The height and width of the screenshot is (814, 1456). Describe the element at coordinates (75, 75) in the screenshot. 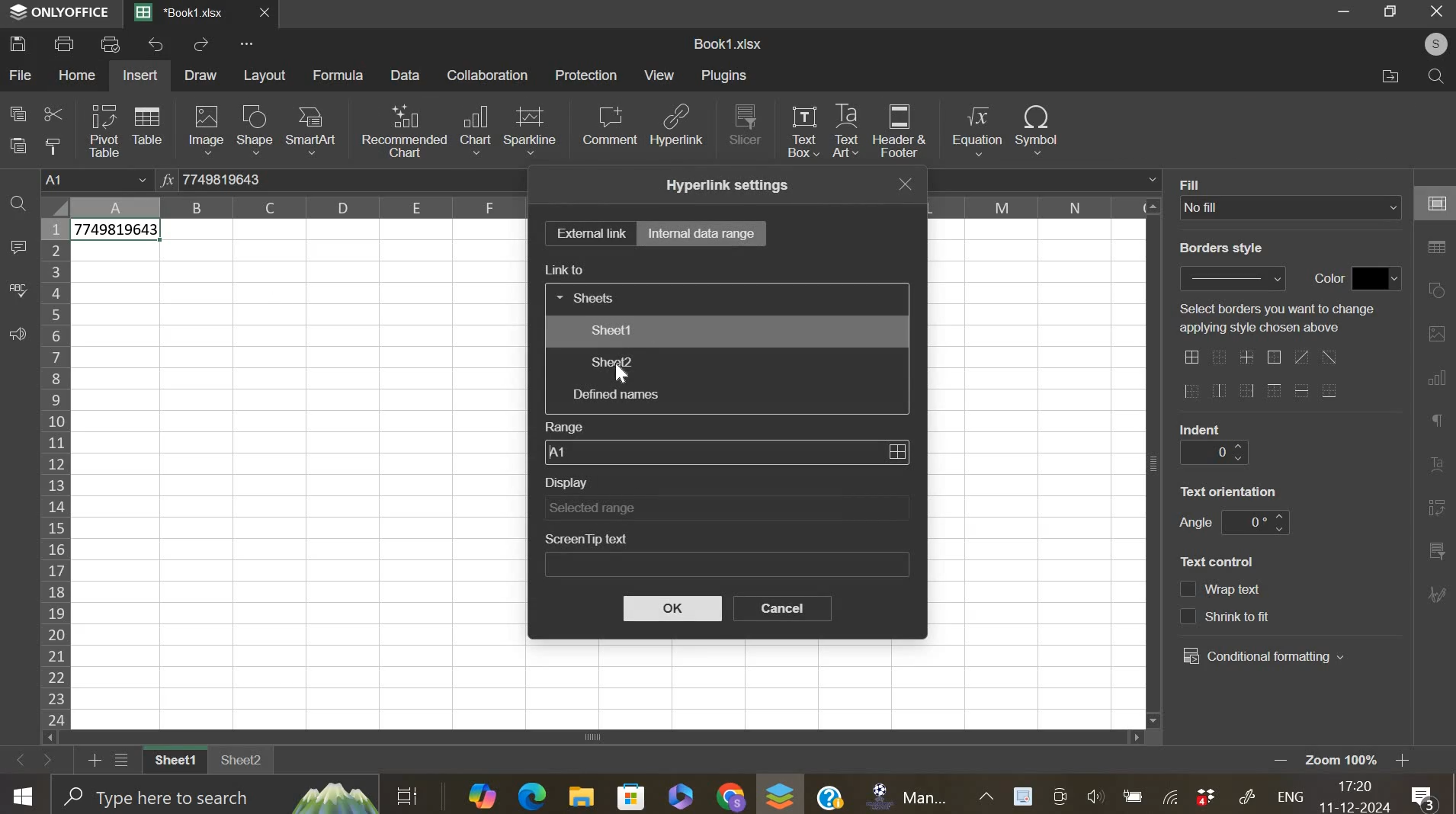

I see `home` at that location.